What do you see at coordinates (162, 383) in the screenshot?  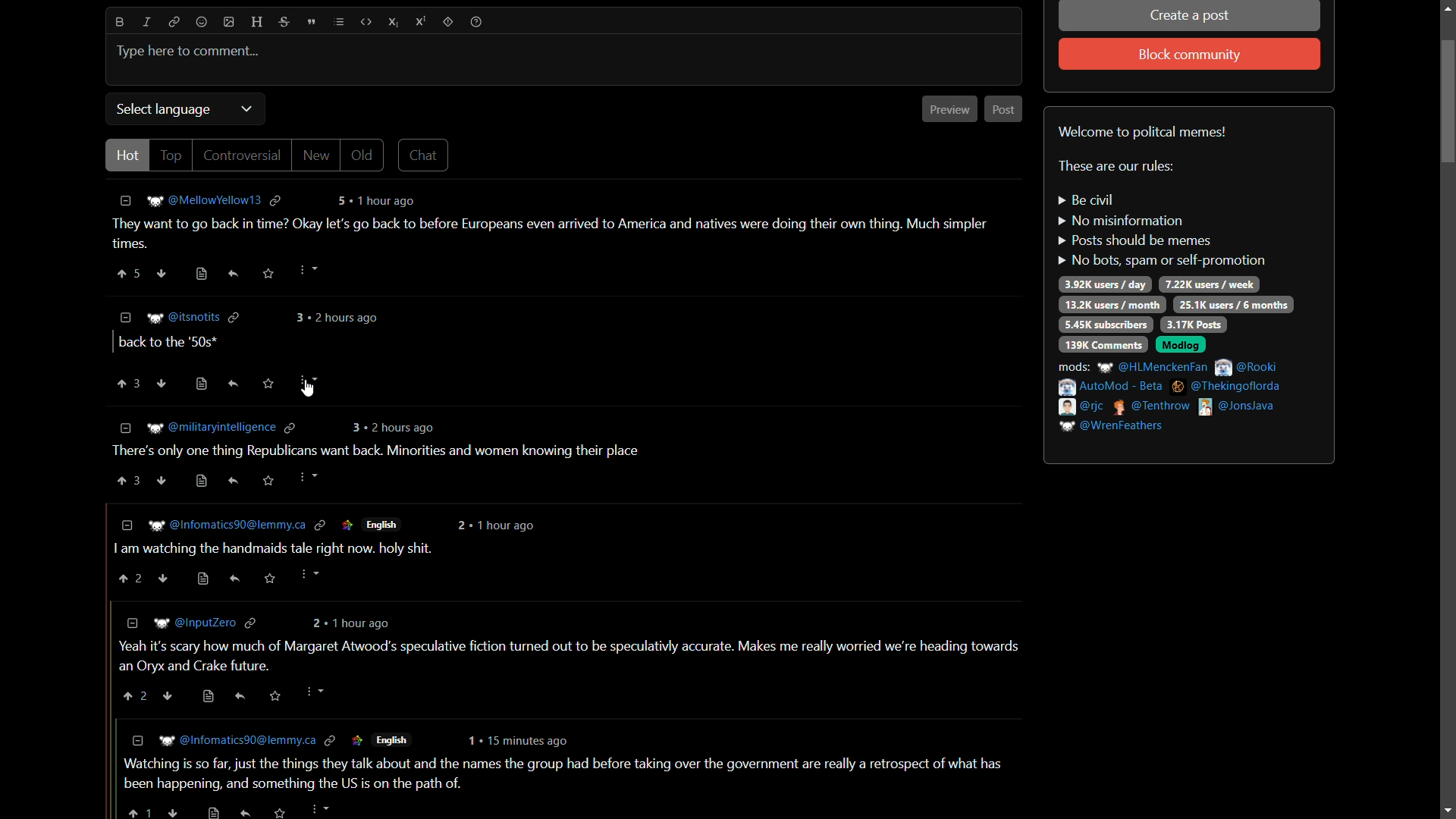 I see `ownvote` at bounding box center [162, 383].